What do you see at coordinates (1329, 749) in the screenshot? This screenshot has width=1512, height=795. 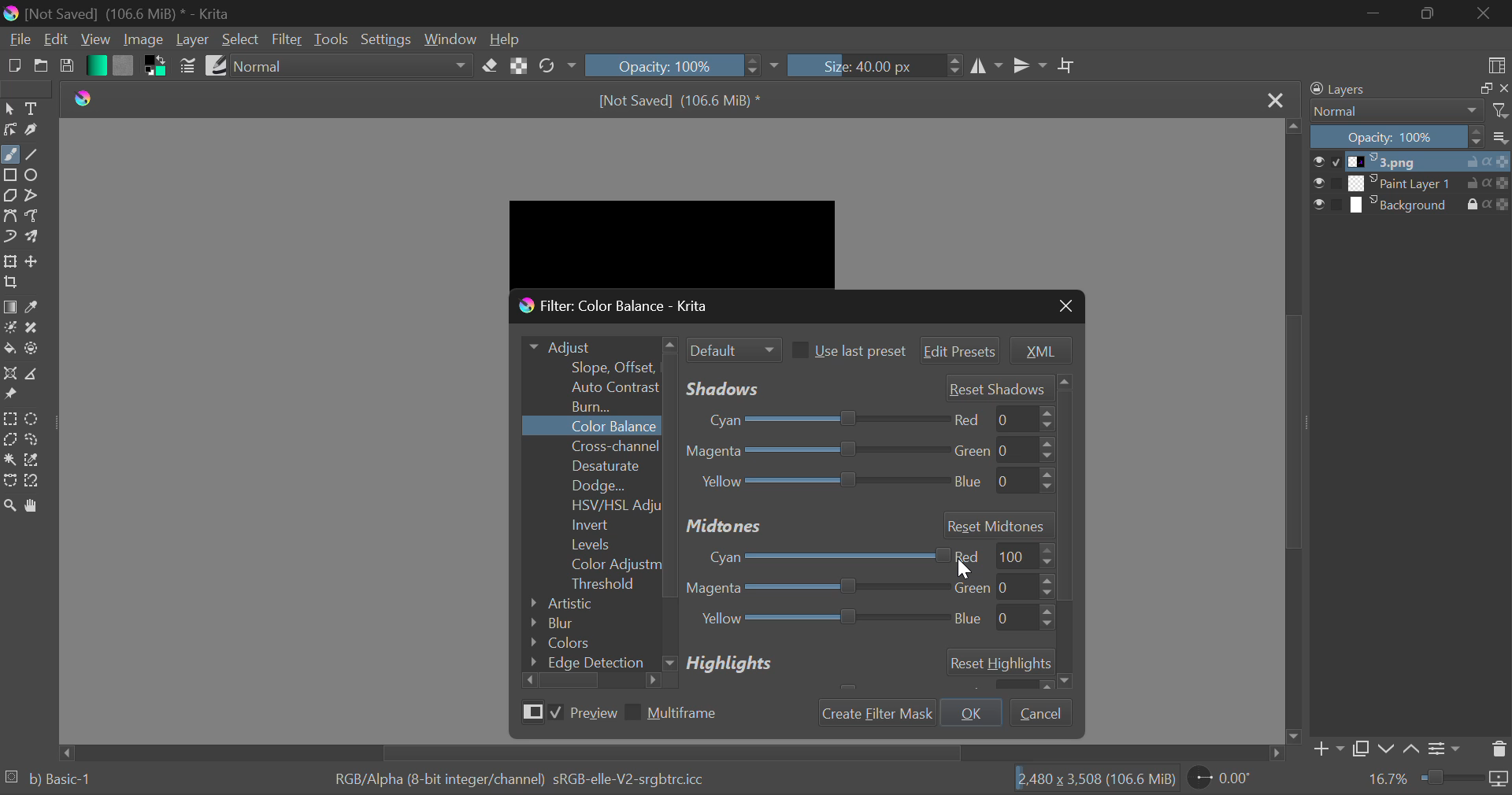 I see `Add Layer` at bounding box center [1329, 749].